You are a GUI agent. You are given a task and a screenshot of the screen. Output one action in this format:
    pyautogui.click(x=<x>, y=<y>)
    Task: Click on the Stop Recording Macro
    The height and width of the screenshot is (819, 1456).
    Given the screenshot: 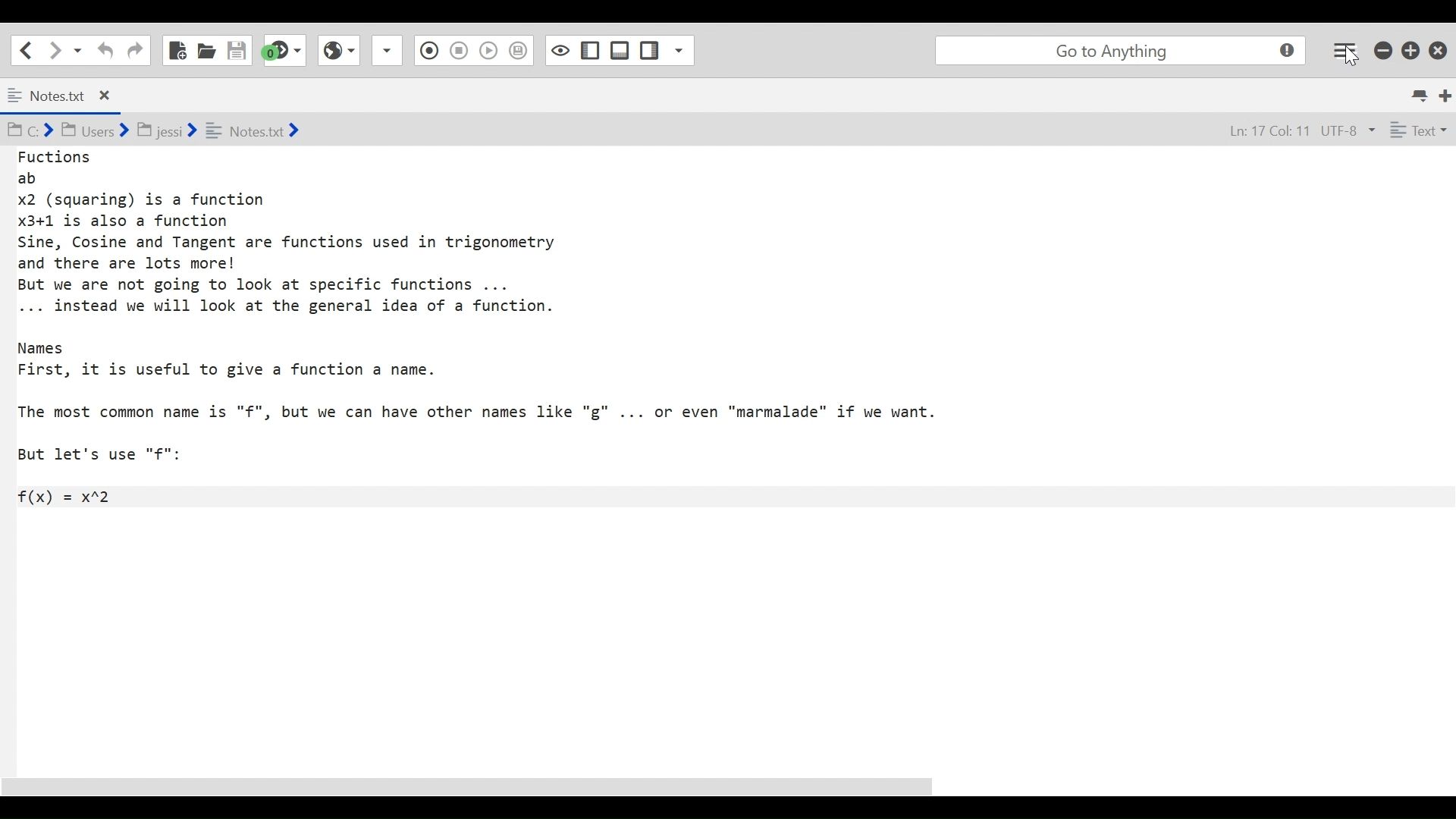 What is the action you would take?
    pyautogui.click(x=427, y=52)
    